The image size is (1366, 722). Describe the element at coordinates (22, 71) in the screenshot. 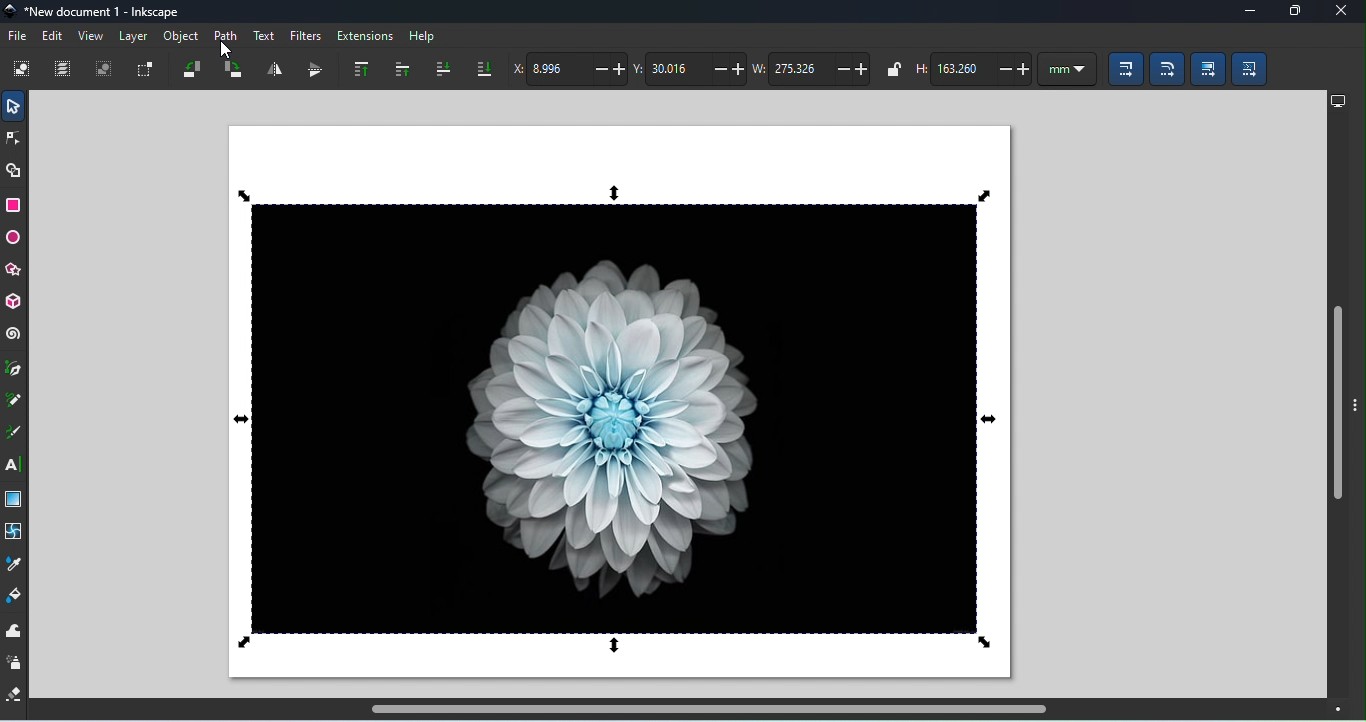

I see `Select all objects` at that location.